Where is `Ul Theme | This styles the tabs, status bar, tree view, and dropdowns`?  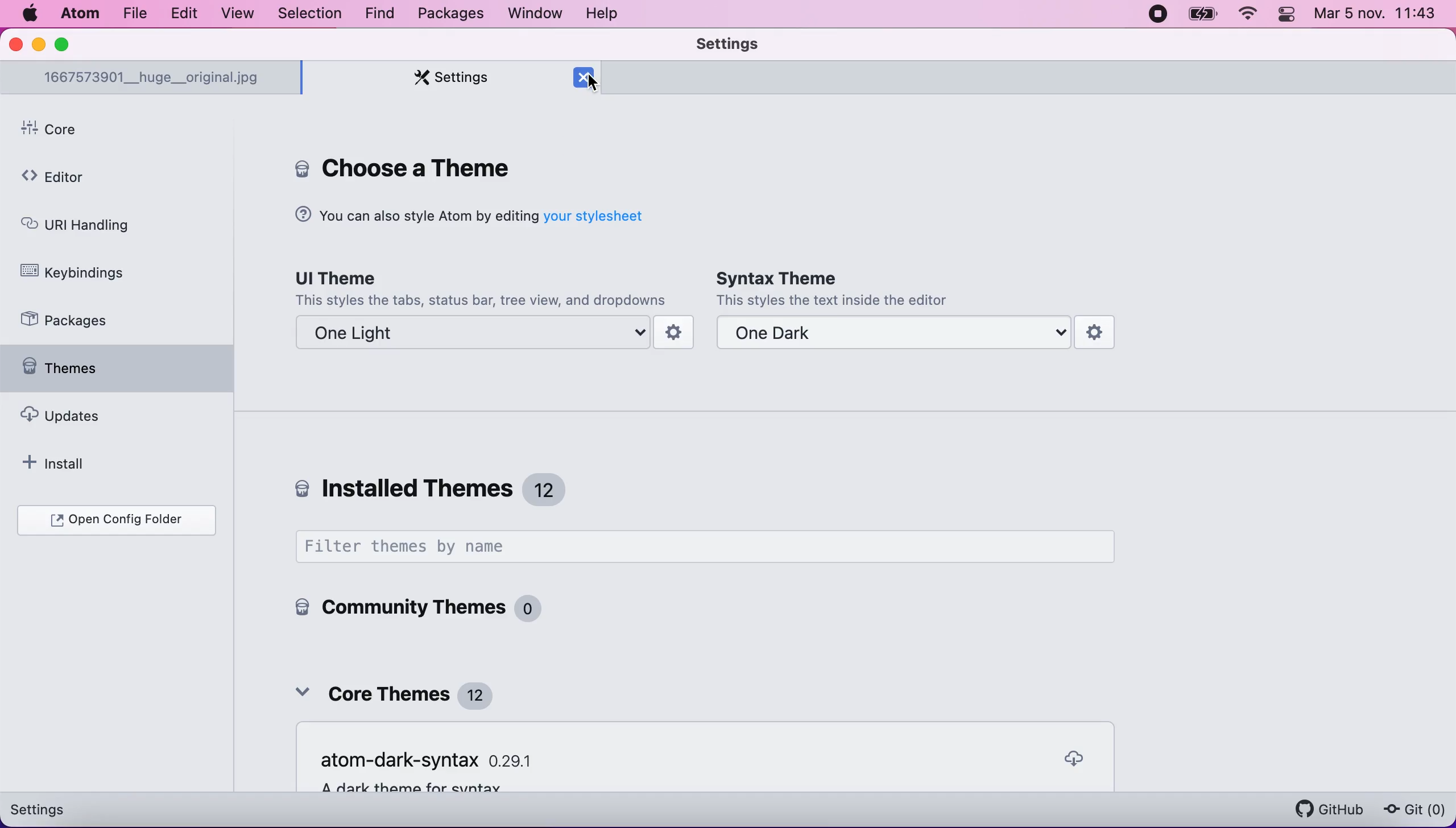 Ul Theme | This styles the tabs, status bar, tree view, and dropdowns is located at coordinates (481, 287).